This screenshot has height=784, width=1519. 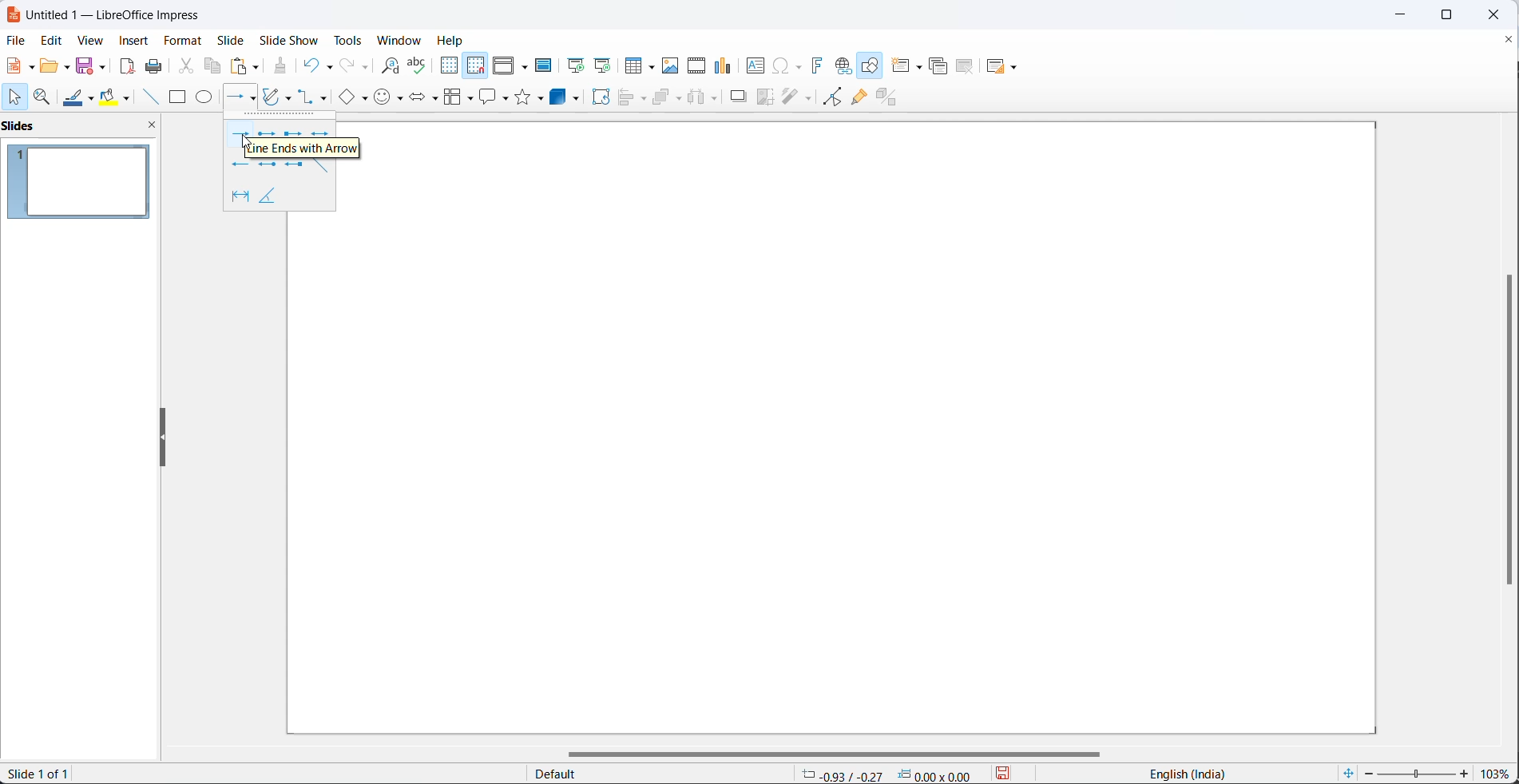 I want to click on start from current slide, so click(x=601, y=65).